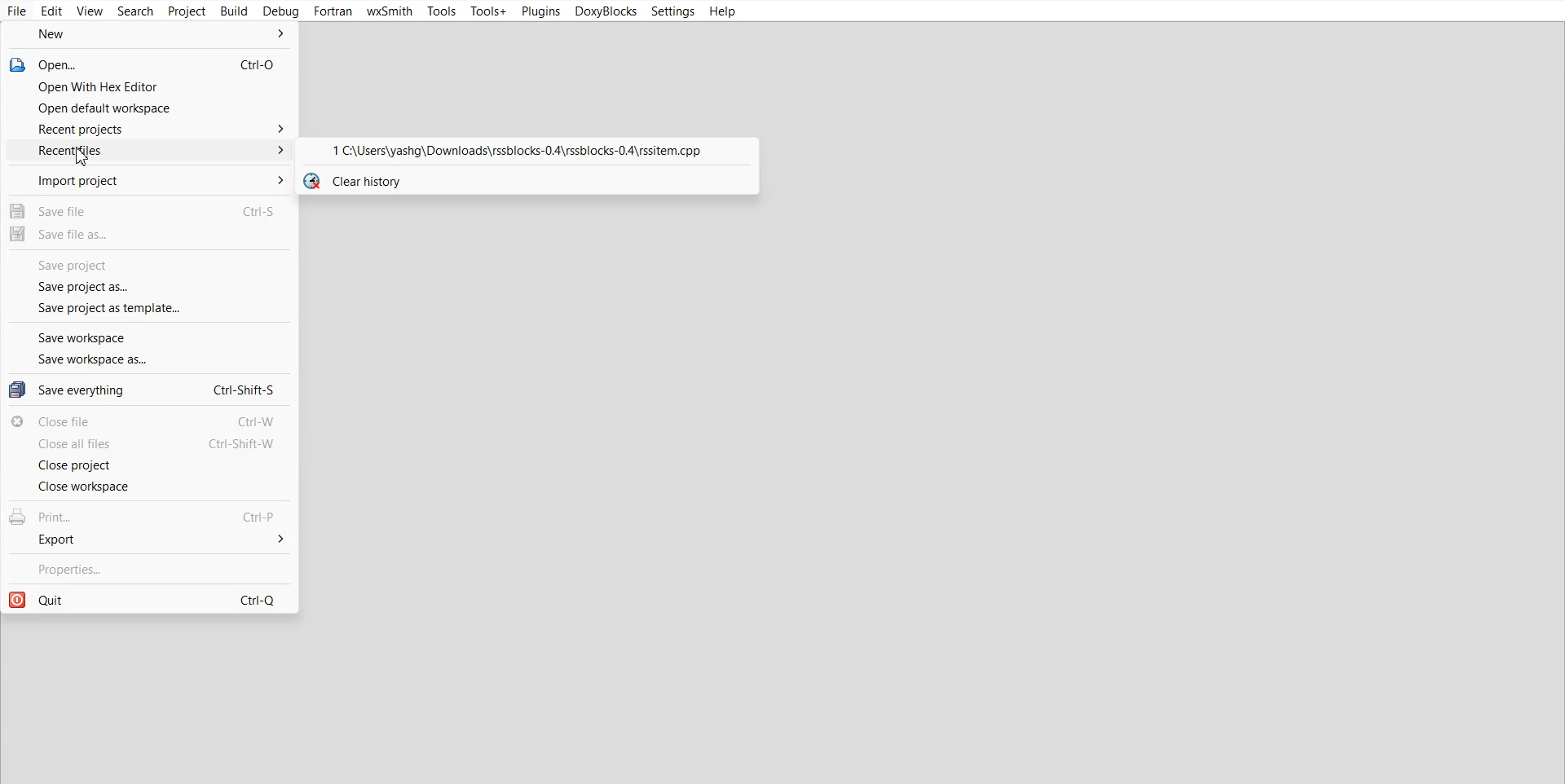 The height and width of the screenshot is (784, 1565). I want to click on Close all files, so click(150, 444).